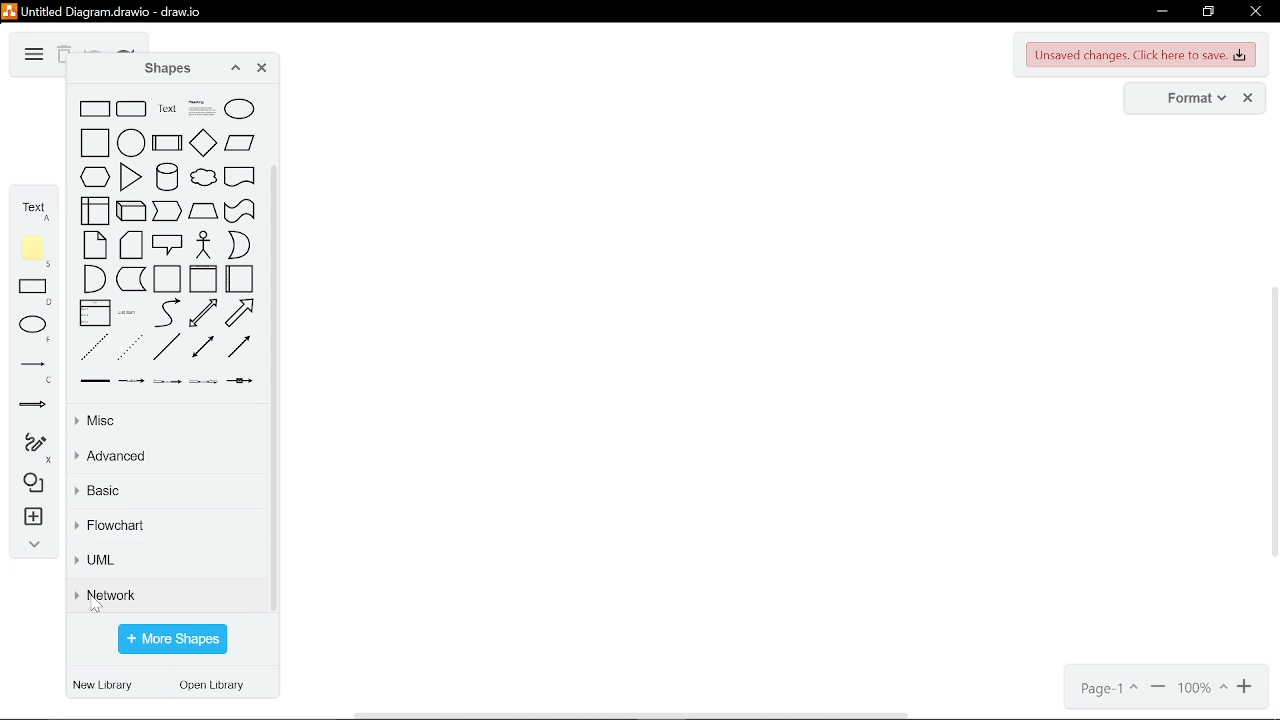 Image resolution: width=1280 pixels, height=720 pixels. Describe the element at coordinates (239, 313) in the screenshot. I see `arrow` at that location.